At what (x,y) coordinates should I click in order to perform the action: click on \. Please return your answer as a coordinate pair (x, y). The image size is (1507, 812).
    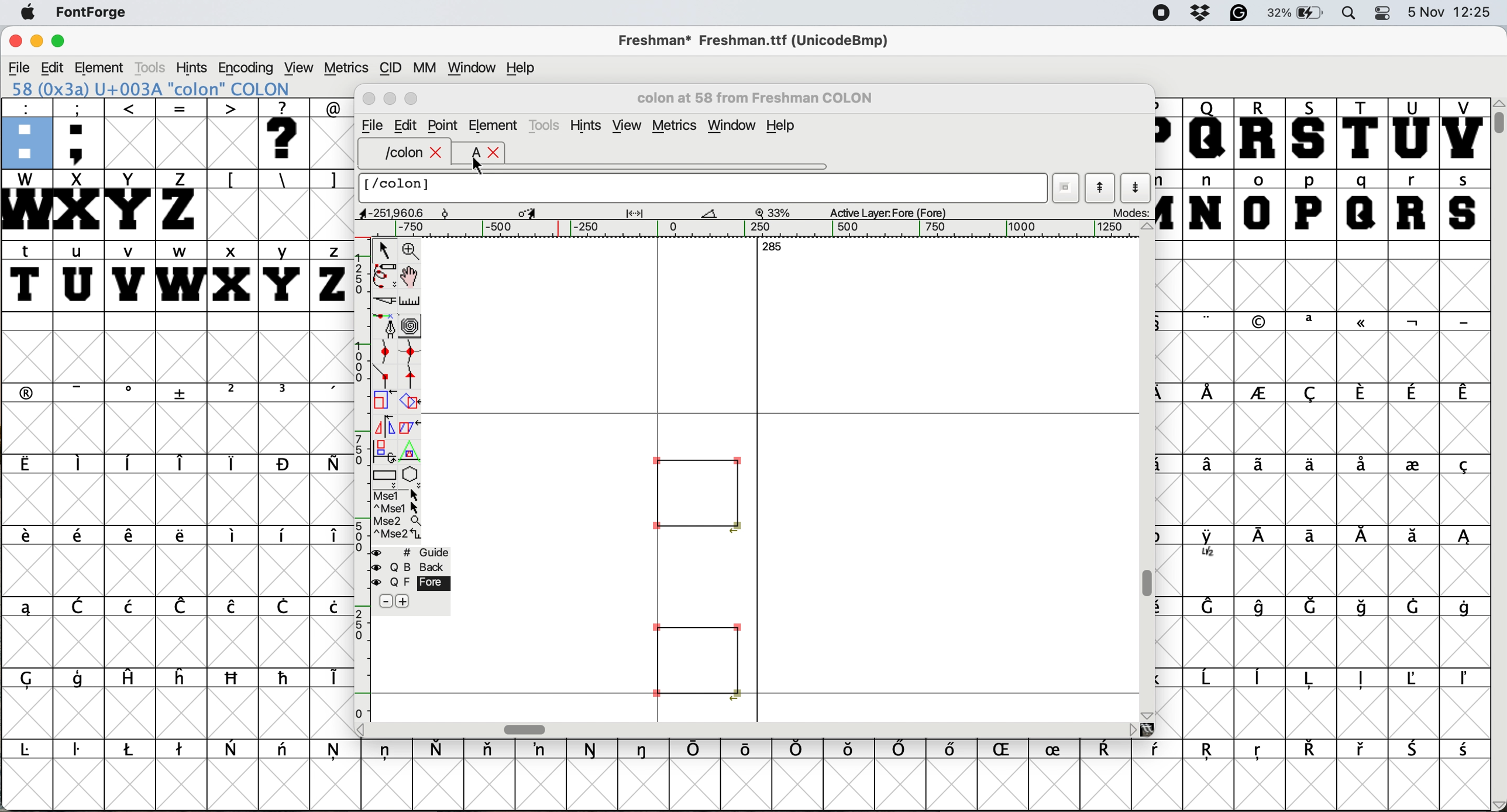
    Looking at the image, I should click on (283, 180).